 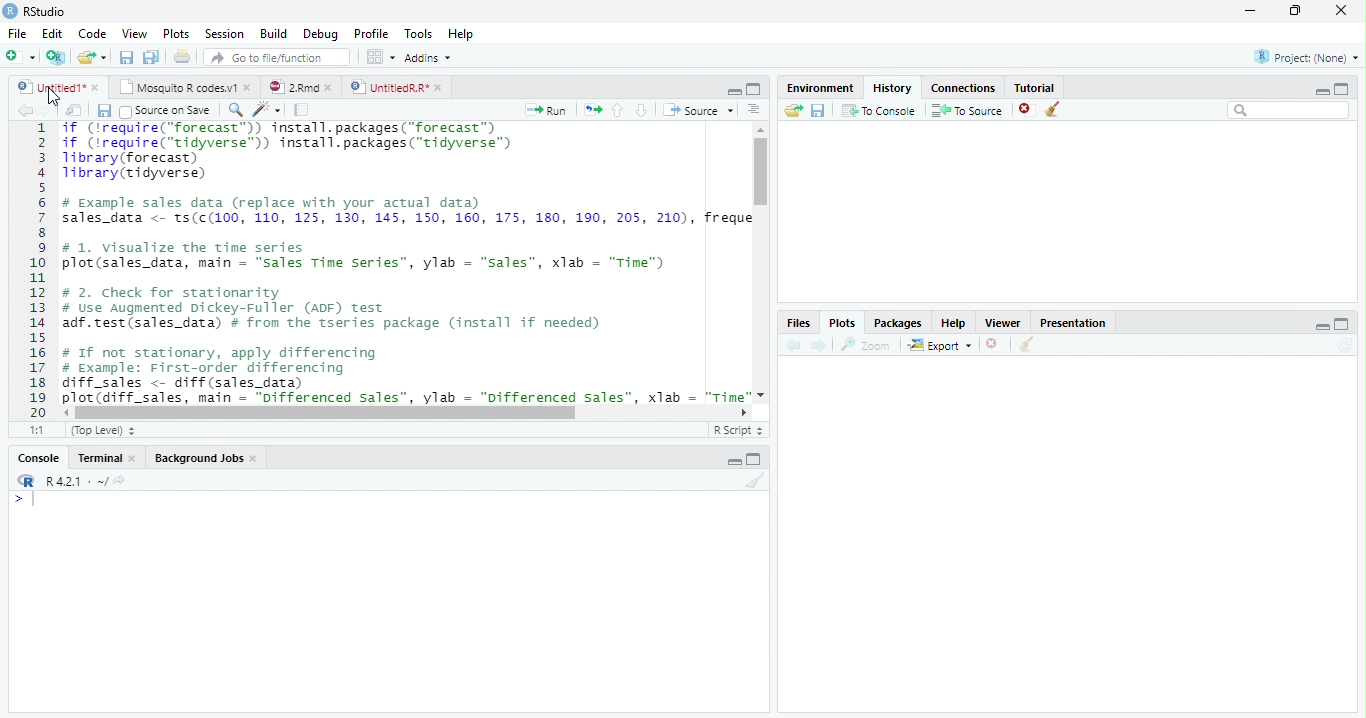 I want to click on Open Folder, so click(x=793, y=111).